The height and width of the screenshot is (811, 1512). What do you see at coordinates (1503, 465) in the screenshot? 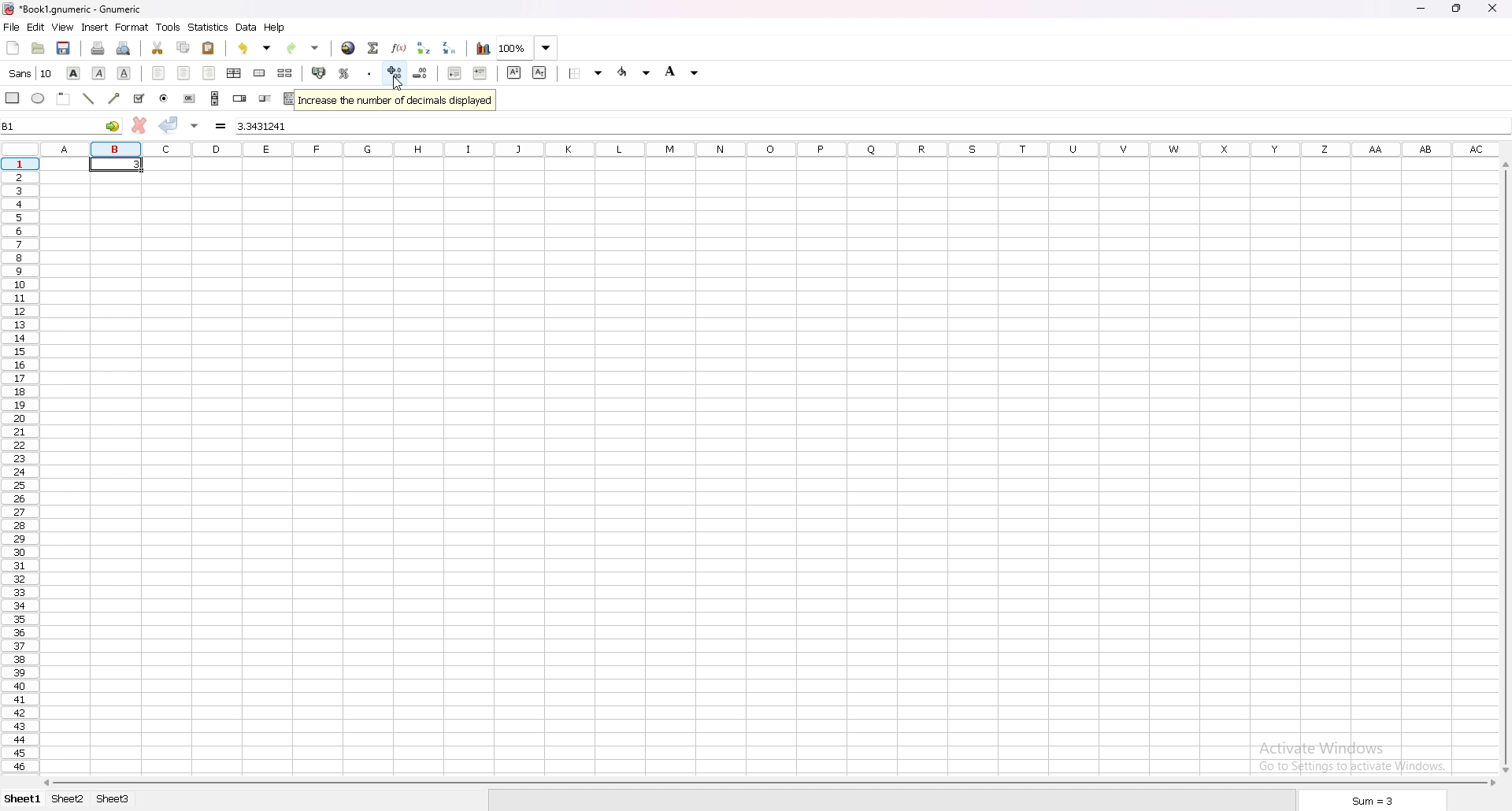
I see `scroll bar` at bounding box center [1503, 465].